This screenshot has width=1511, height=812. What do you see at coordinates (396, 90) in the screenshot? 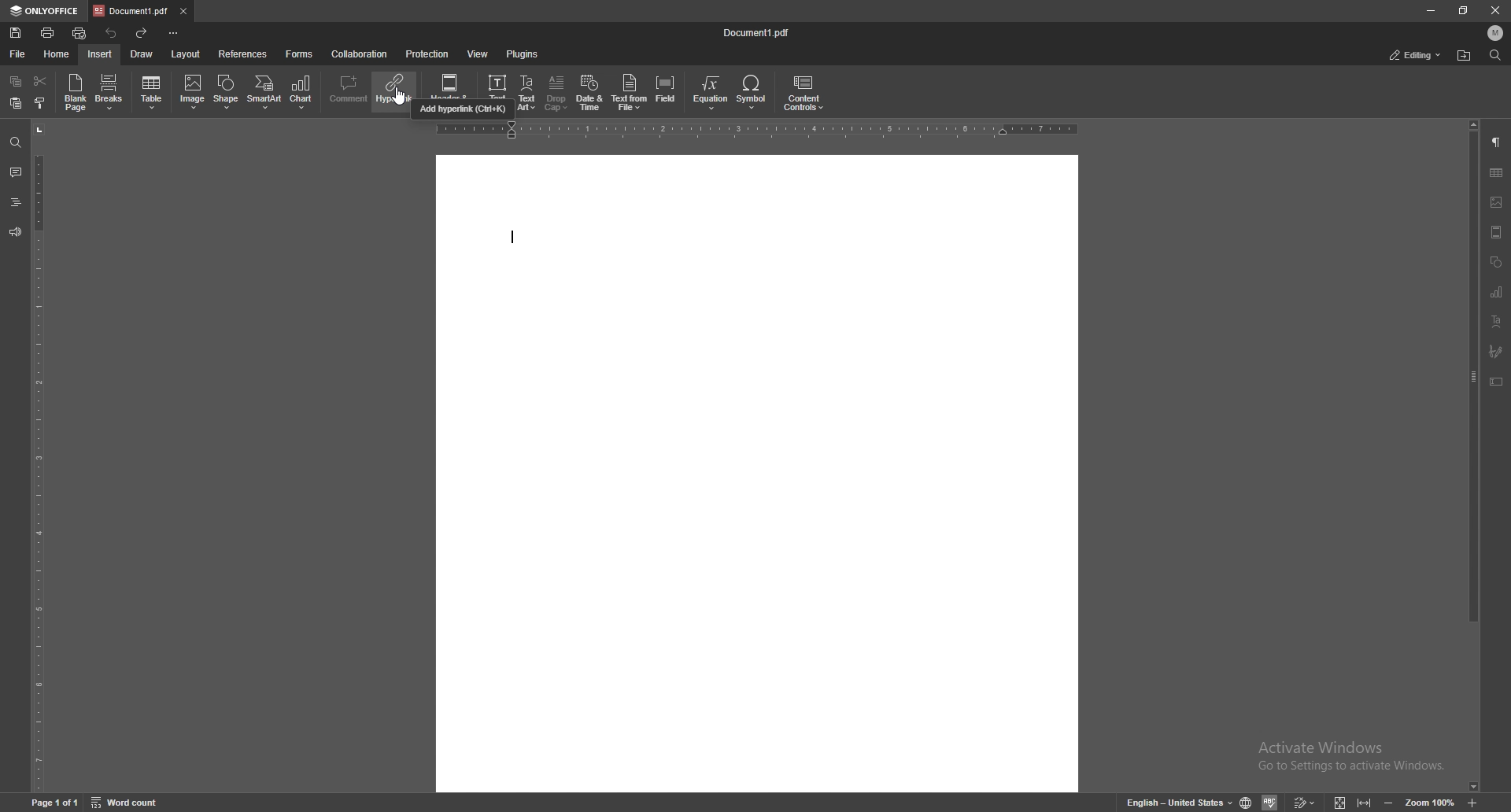
I see `hyperlink` at bounding box center [396, 90].